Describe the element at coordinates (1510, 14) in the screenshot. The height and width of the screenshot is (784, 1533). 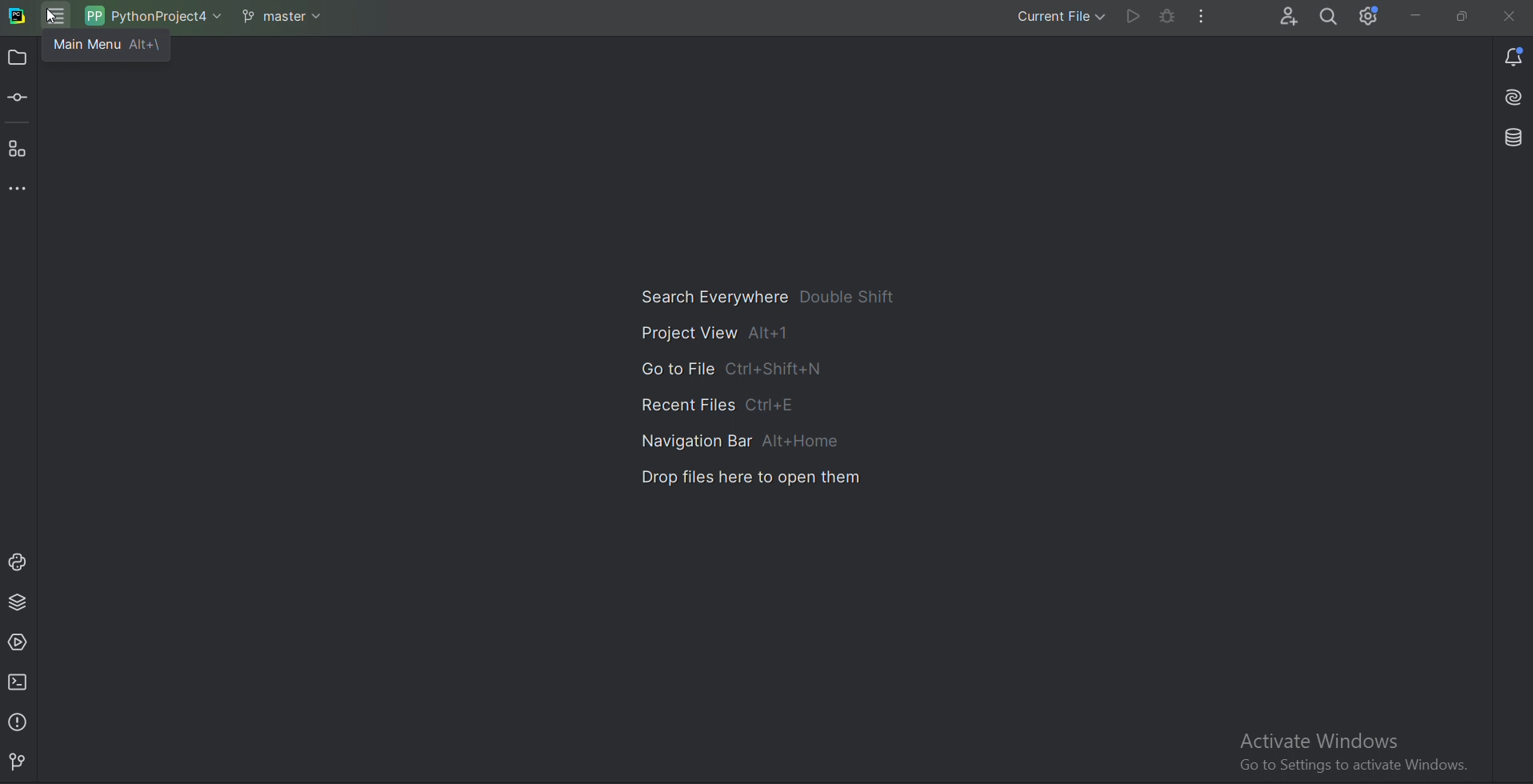
I see `Cross` at that location.